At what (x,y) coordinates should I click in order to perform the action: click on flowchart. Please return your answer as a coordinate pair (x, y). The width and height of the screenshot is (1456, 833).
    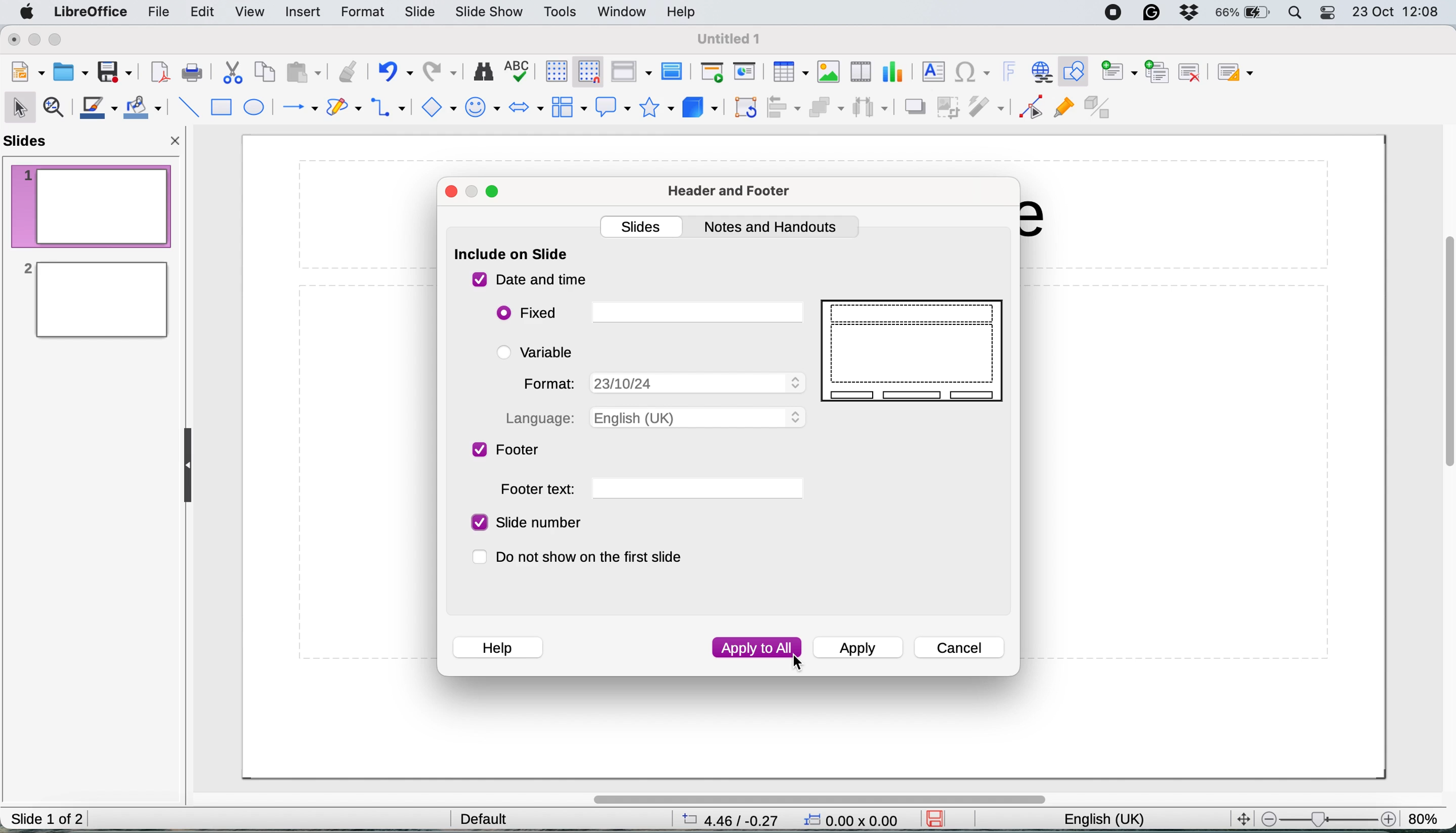
    Looking at the image, I should click on (568, 107).